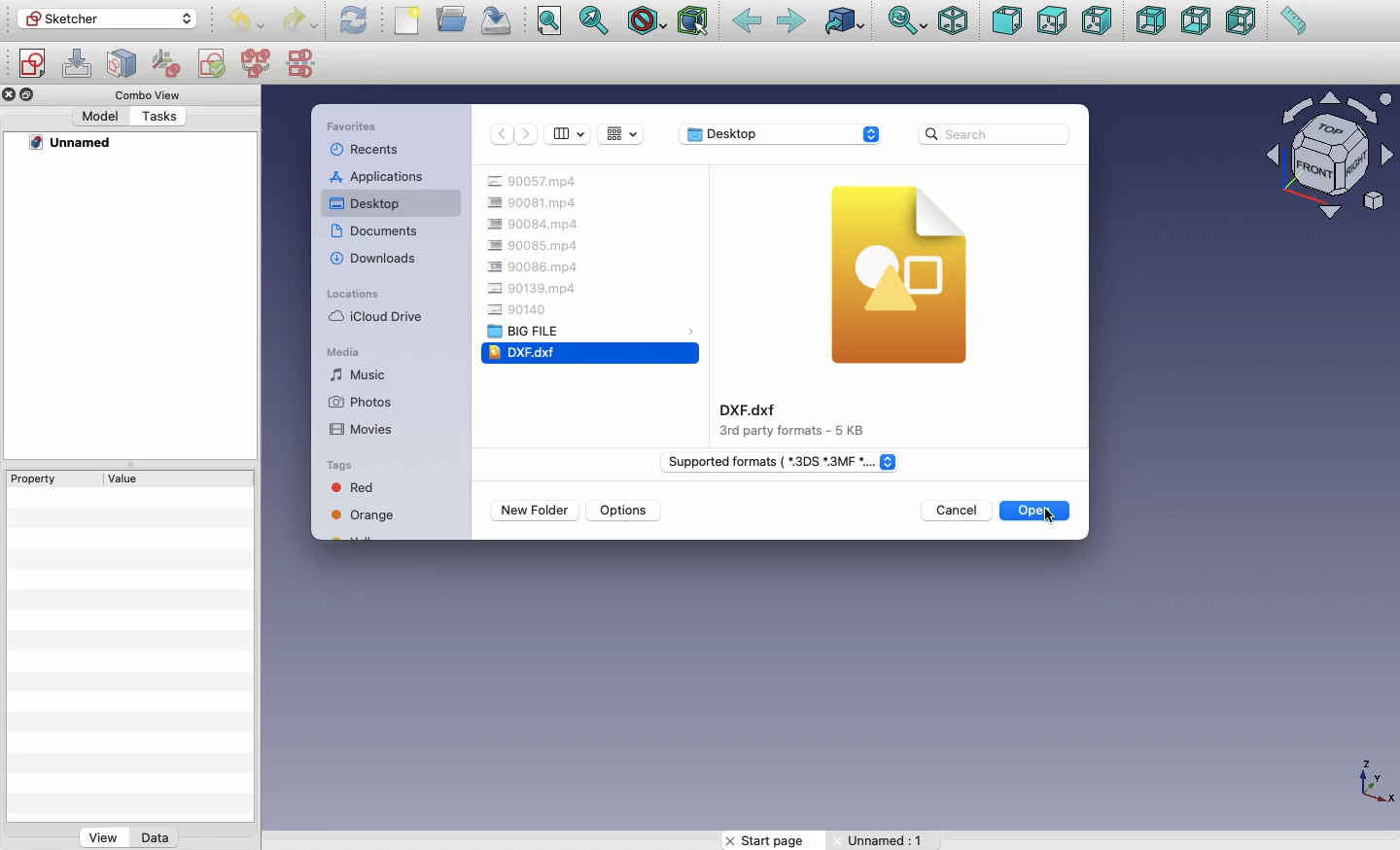 The width and height of the screenshot is (1400, 850). What do you see at coordinates (1021, 511) in the screenshot?
I see `Open` at bounding box center [1021, 511].